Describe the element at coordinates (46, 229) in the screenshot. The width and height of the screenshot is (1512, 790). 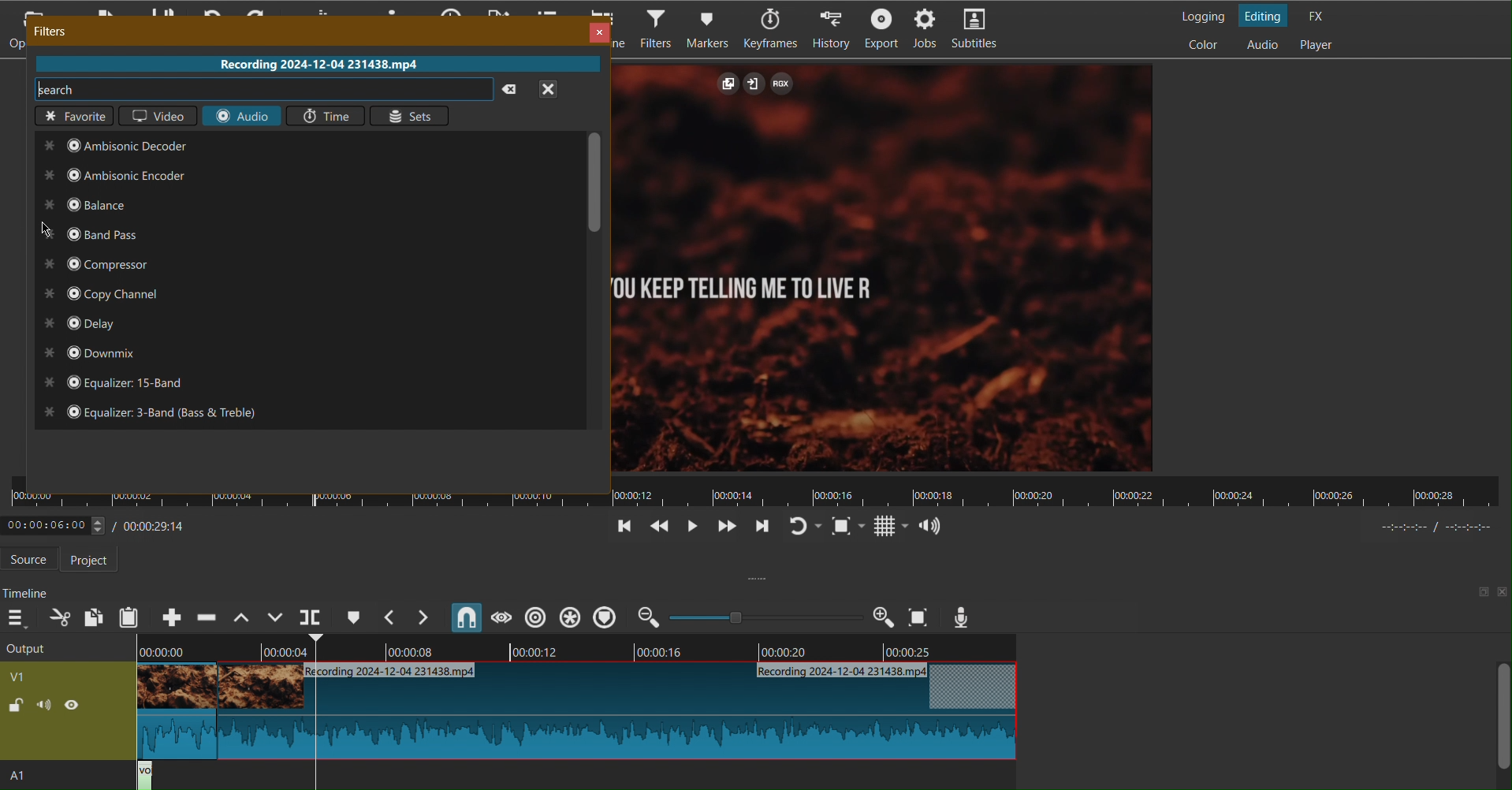
I see `Cursor at Bard Pass` at that location.